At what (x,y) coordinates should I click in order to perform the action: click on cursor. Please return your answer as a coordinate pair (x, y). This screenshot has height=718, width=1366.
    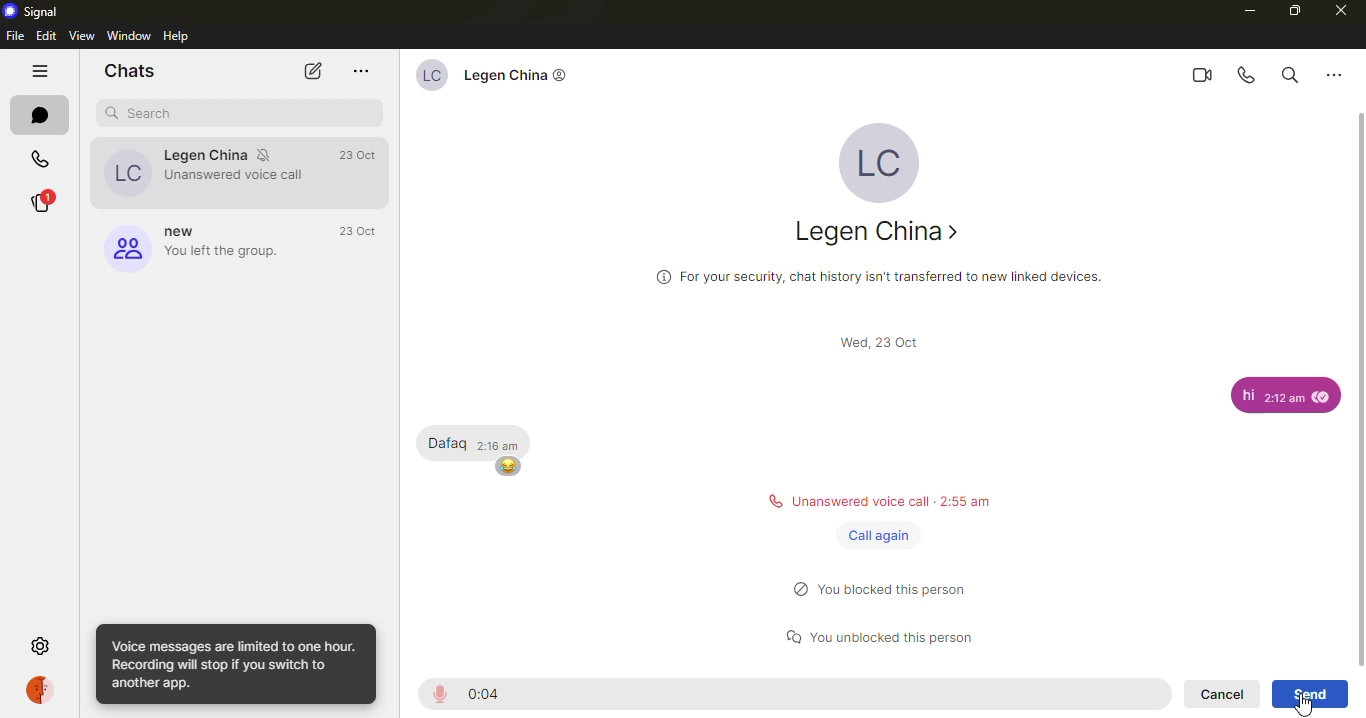
    Looking at the image, I should click on (1305, 703).